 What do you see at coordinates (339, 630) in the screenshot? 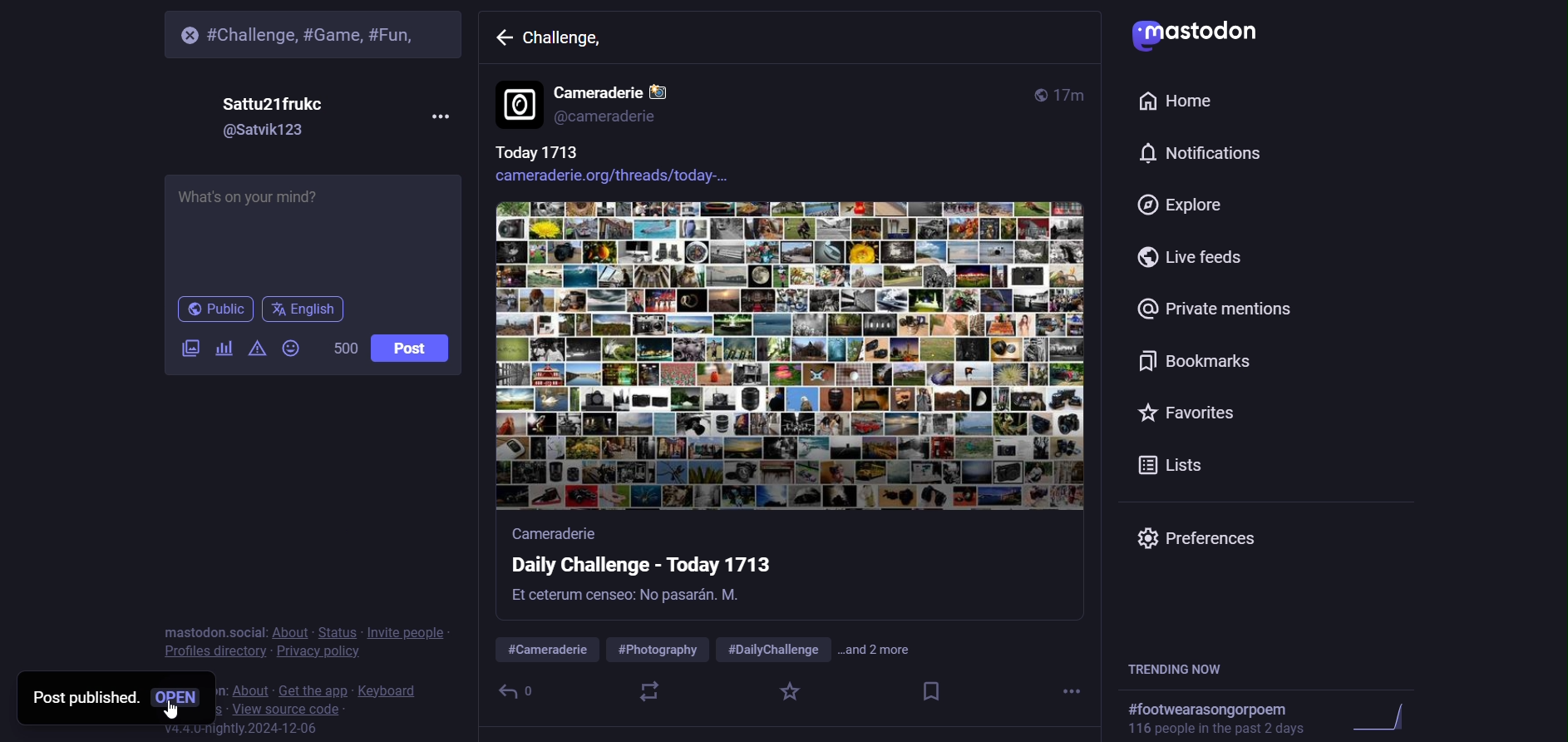
I see `status` at bounding box center [339, 630].